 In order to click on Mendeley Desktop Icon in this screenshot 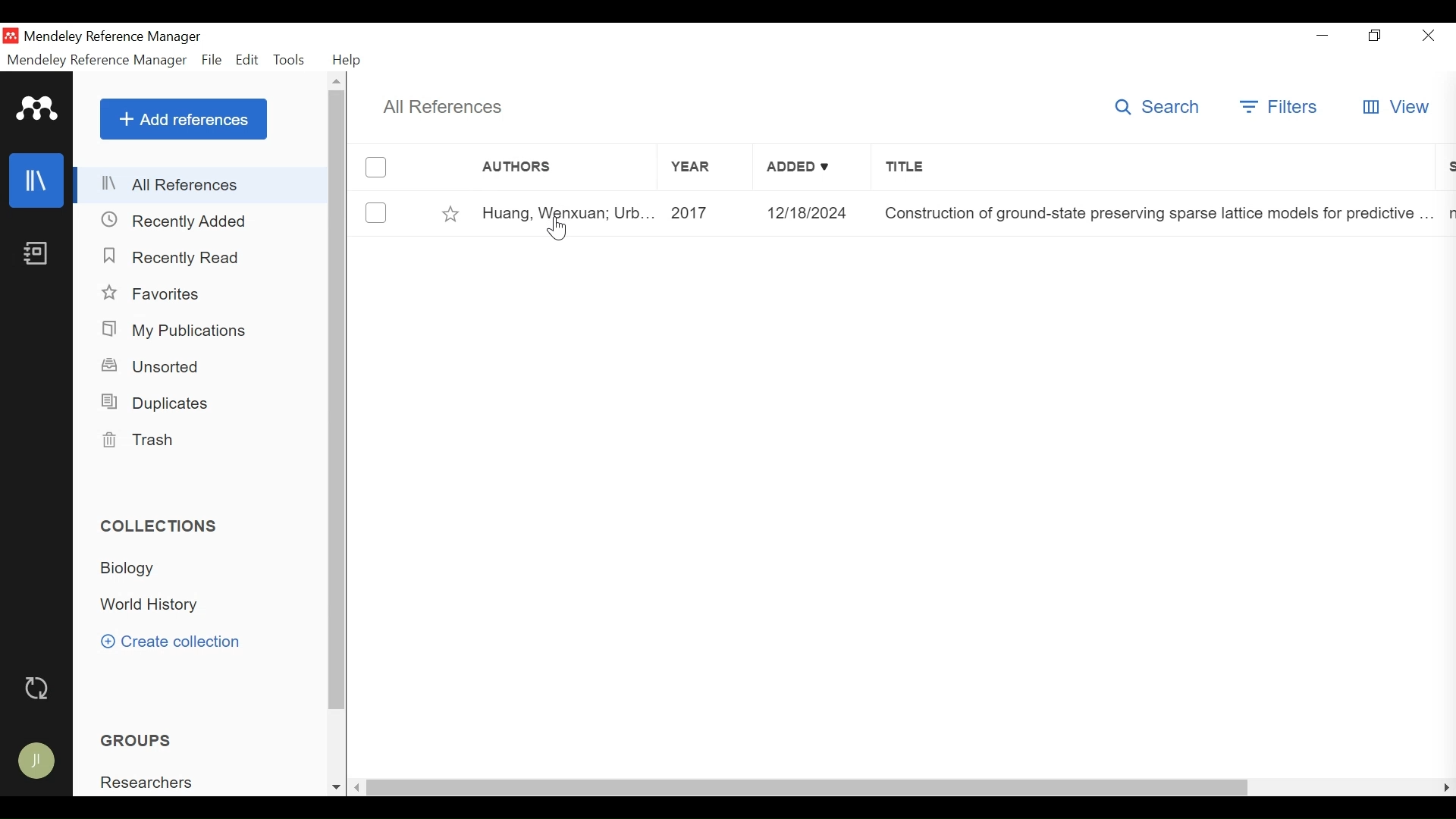, I will do `click(11, 36)`.